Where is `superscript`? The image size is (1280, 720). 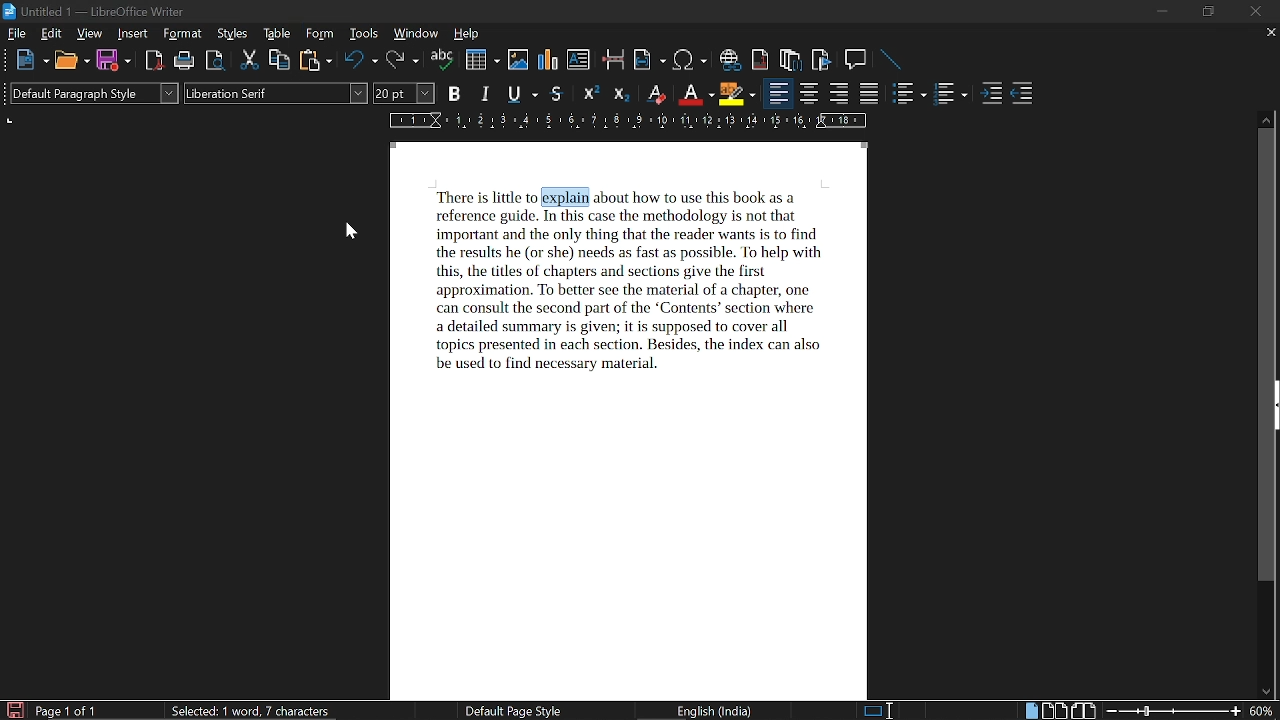
superscript is located at coordinates (590, 95).